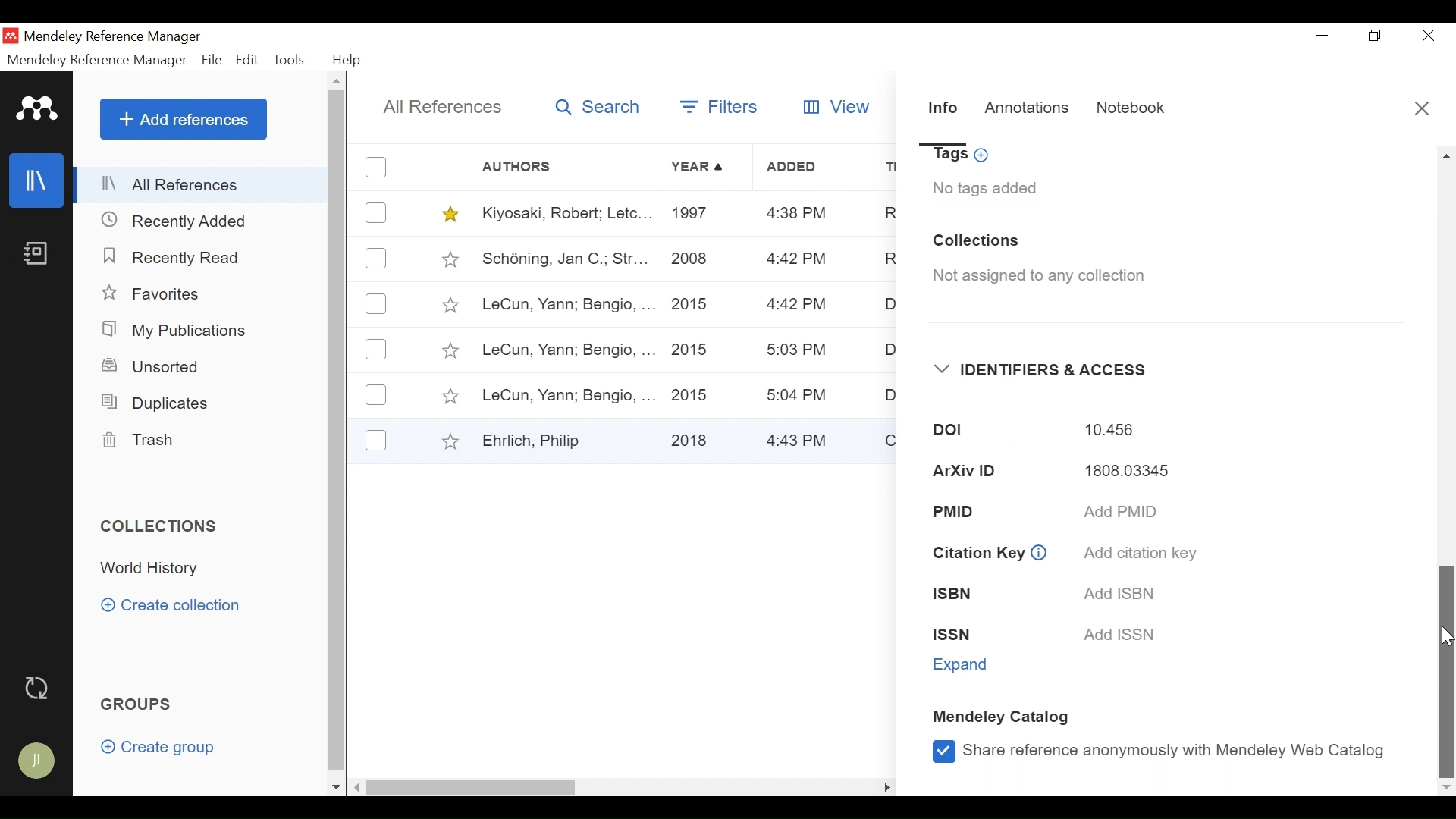  I want to click on Schéning, Jan C.; Str..., so click(563, 259).